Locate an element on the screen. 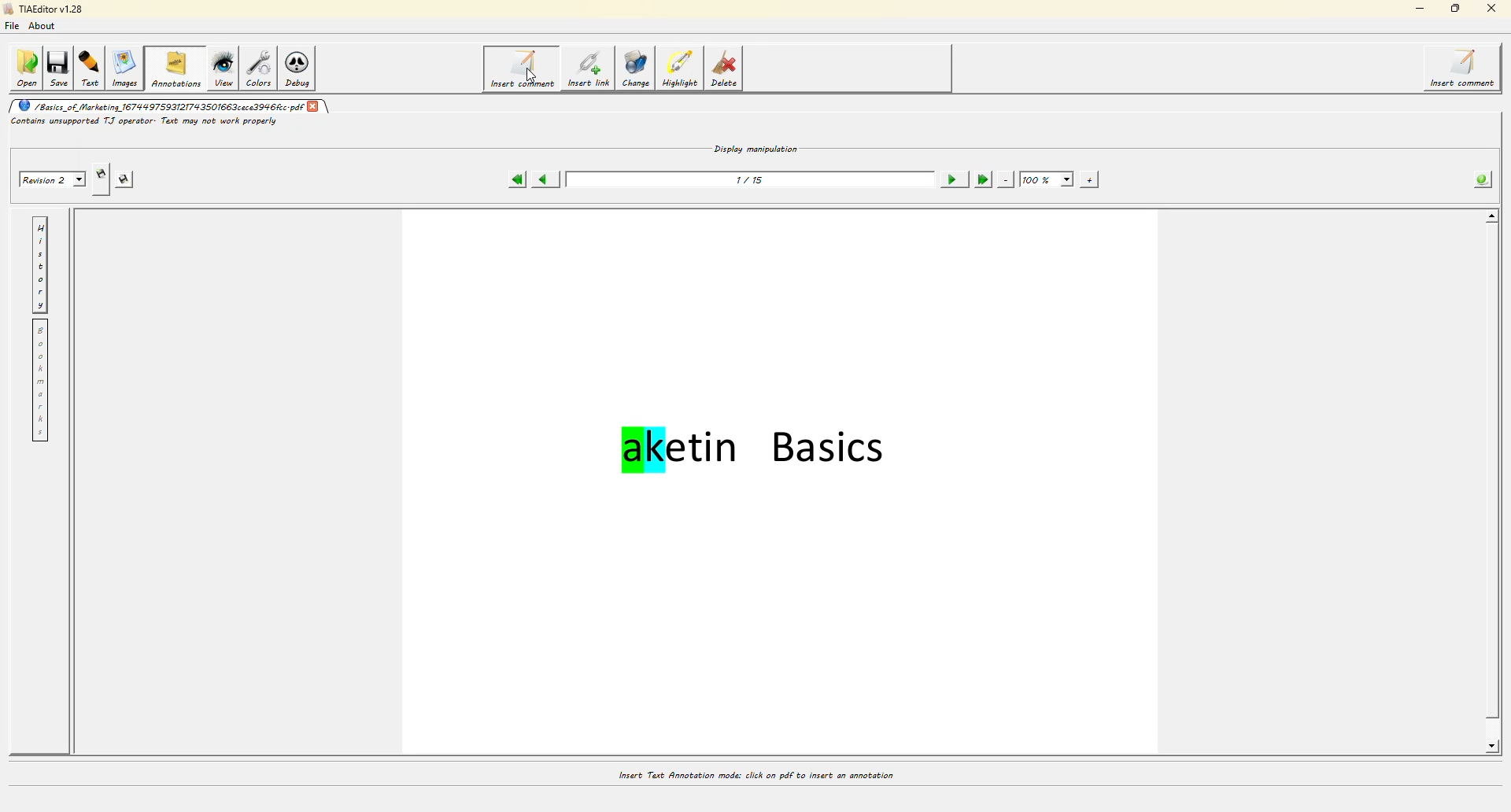 This screenshot has width=1511, height=812. scroll bar is located at coordinates (1494, 489).